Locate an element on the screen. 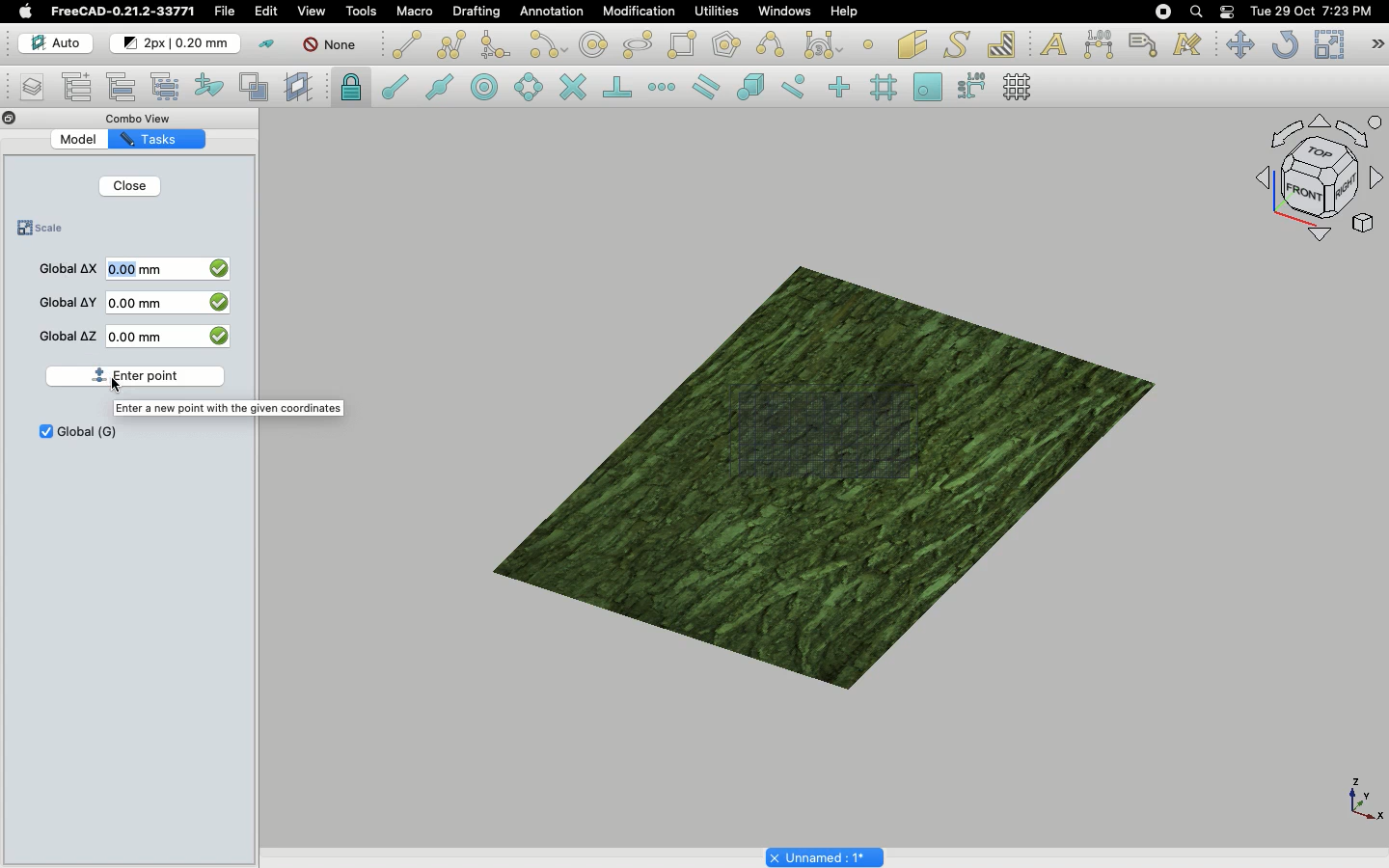 The image size is (1389, 868). Rectangle is located at coordinates (681, 44).